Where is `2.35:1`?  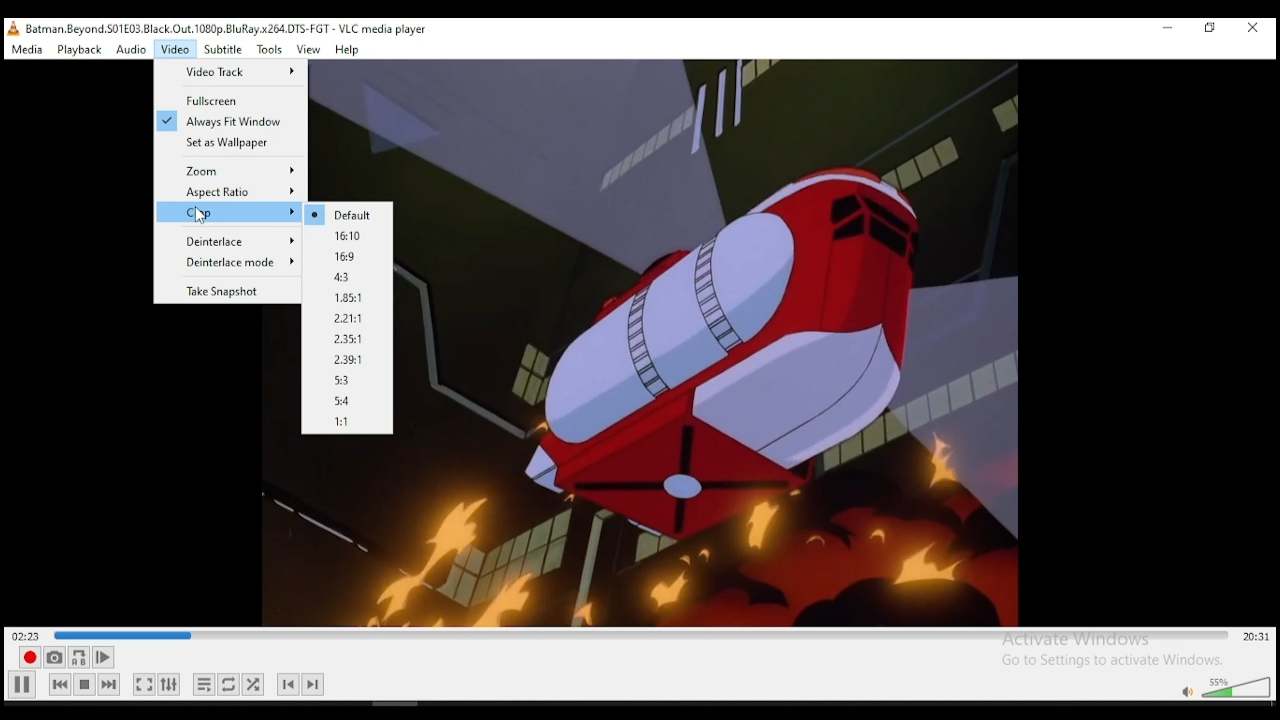
2.35:1 is located at coordinates (346, 337).